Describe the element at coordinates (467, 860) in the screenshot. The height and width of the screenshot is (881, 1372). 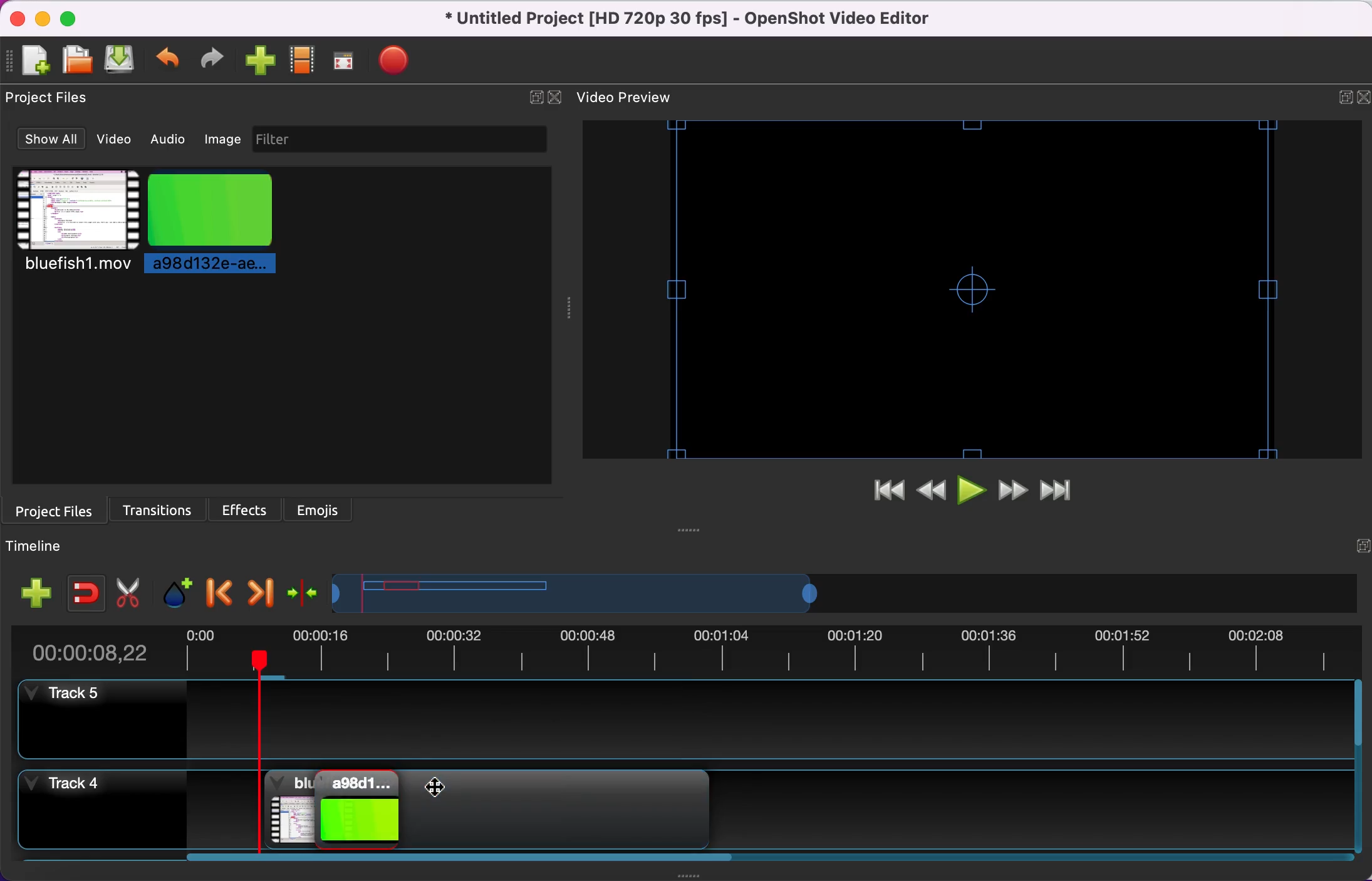
I see `scroll bar` at that location.